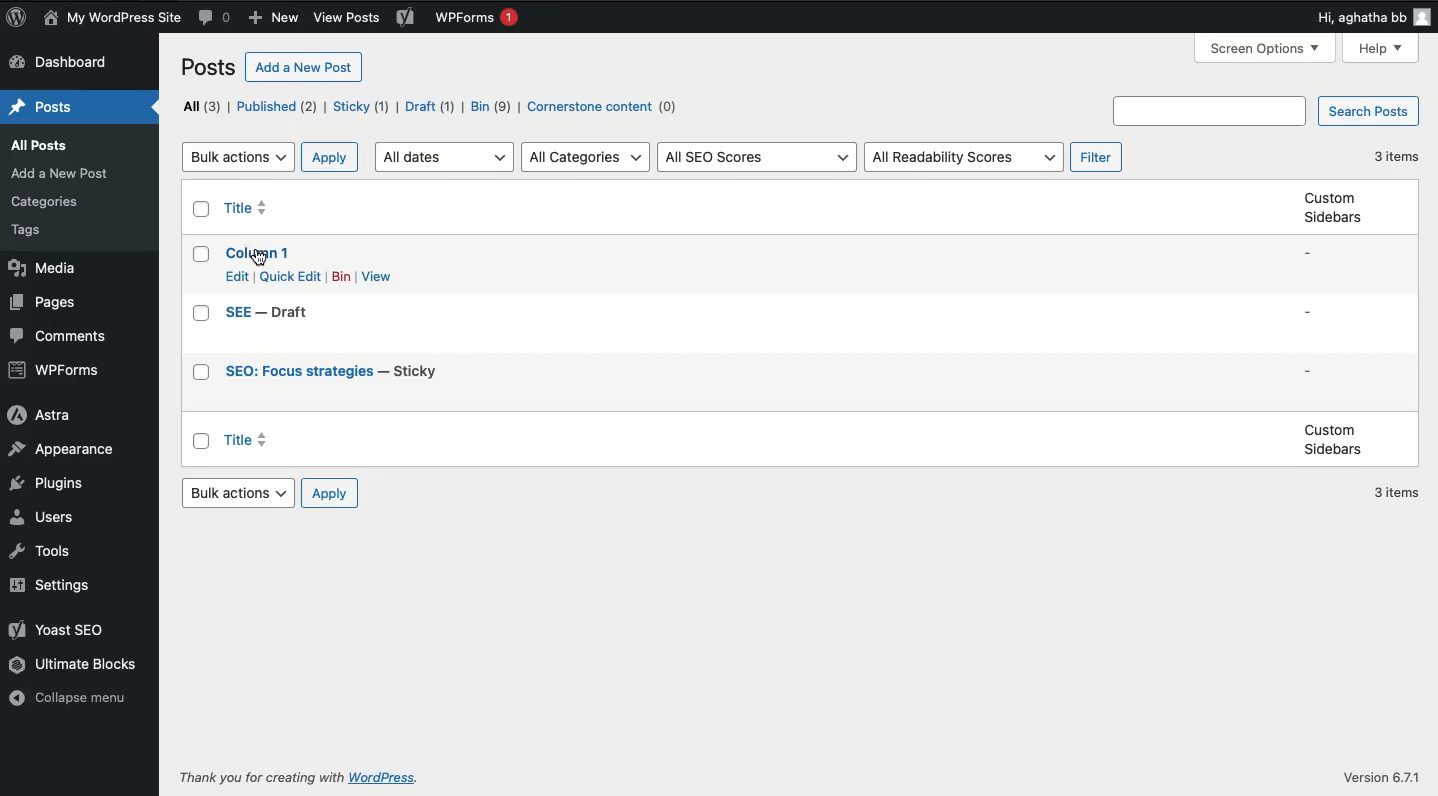  Describe the element at coordinates (267, 313) in the screenshot. I see `Title` at that location.